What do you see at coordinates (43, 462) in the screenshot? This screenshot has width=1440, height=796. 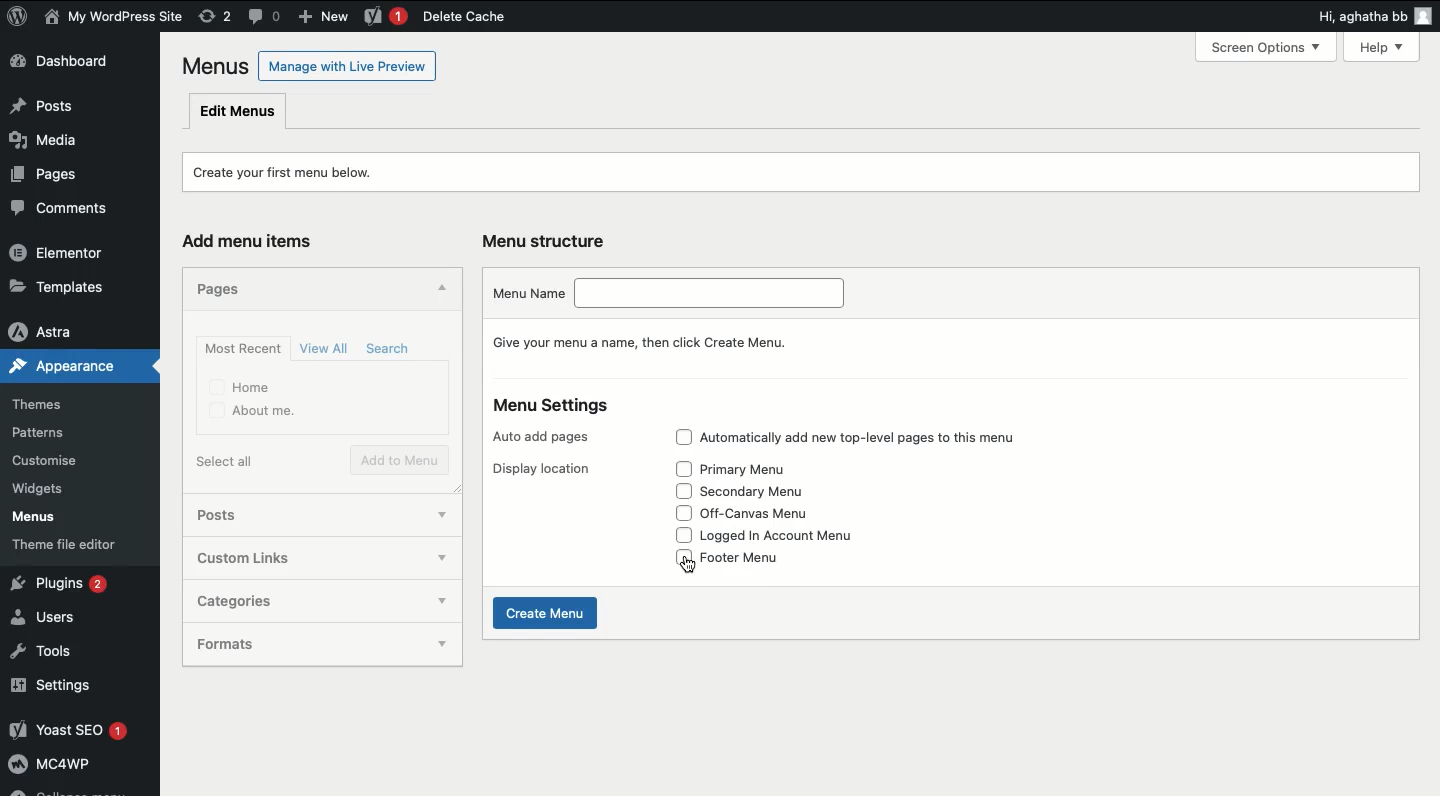 I see `Customise` at bounding box center [43, 462].